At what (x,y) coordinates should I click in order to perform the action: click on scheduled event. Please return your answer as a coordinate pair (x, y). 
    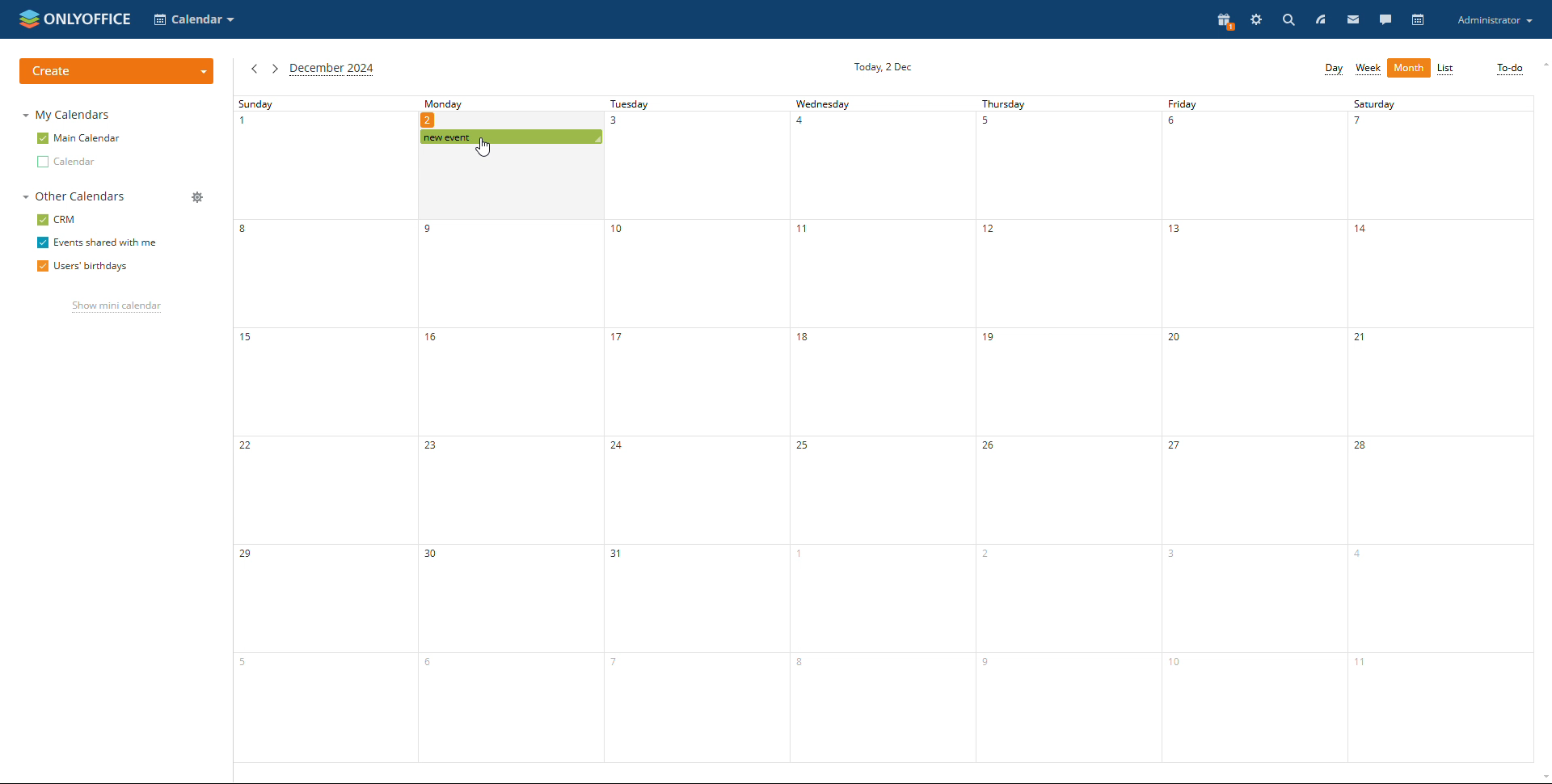
    Looking at the image, I should click on (512, 137).